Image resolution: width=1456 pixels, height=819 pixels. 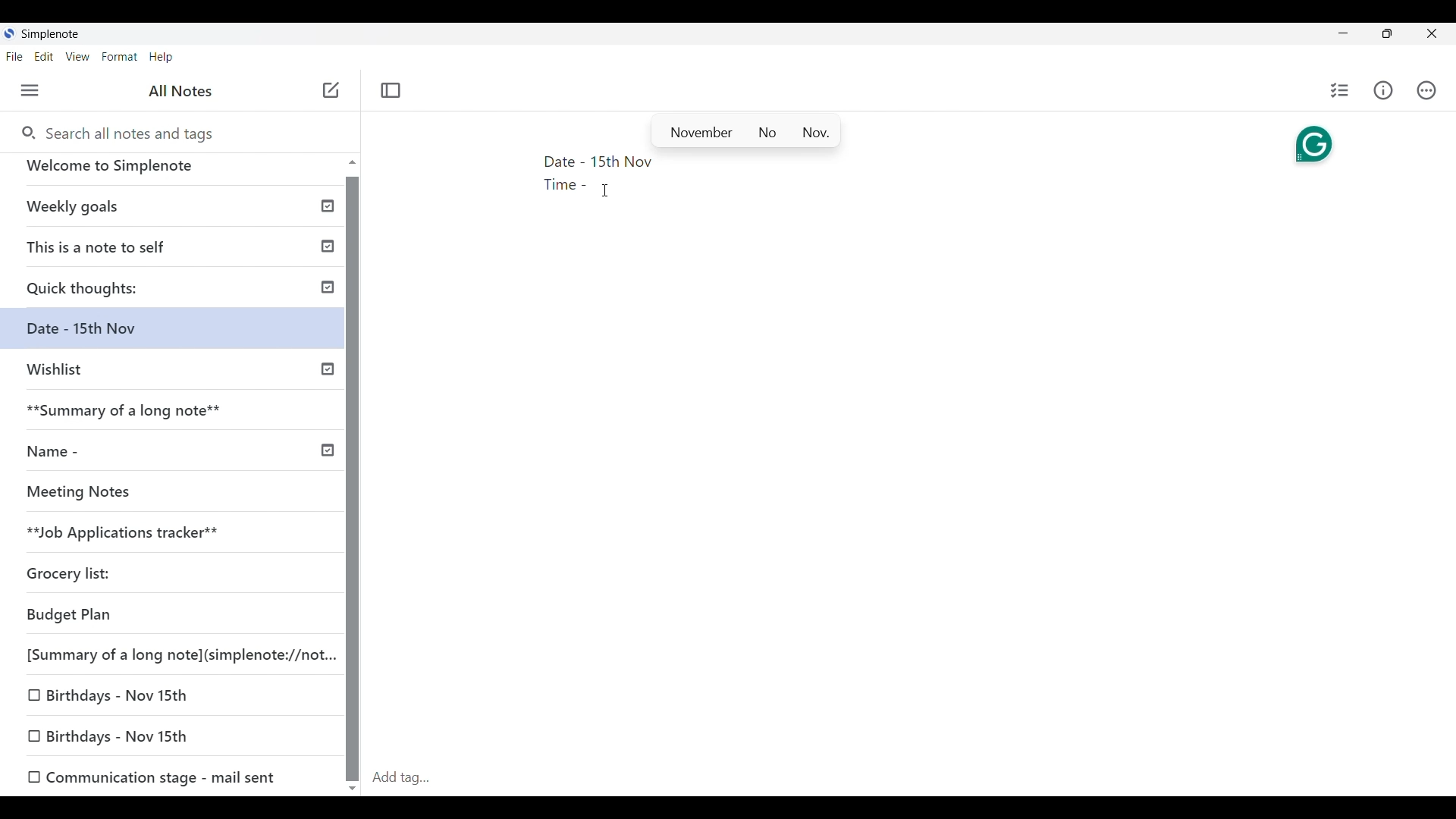 I want to click on Help menu, so click(x=162, y=57).